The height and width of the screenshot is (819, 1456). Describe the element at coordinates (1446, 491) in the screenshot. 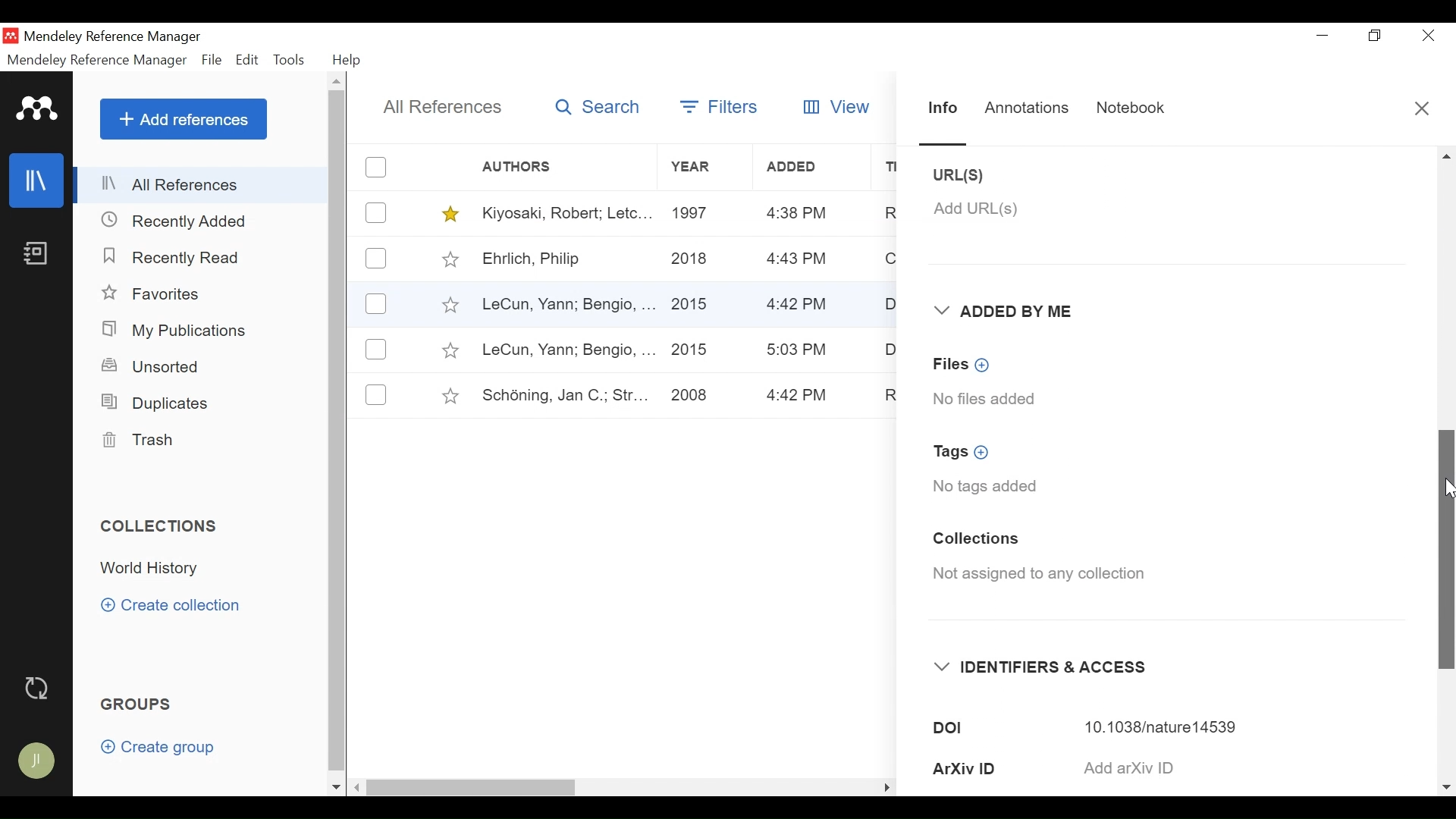

I see `Cursor` at that location.